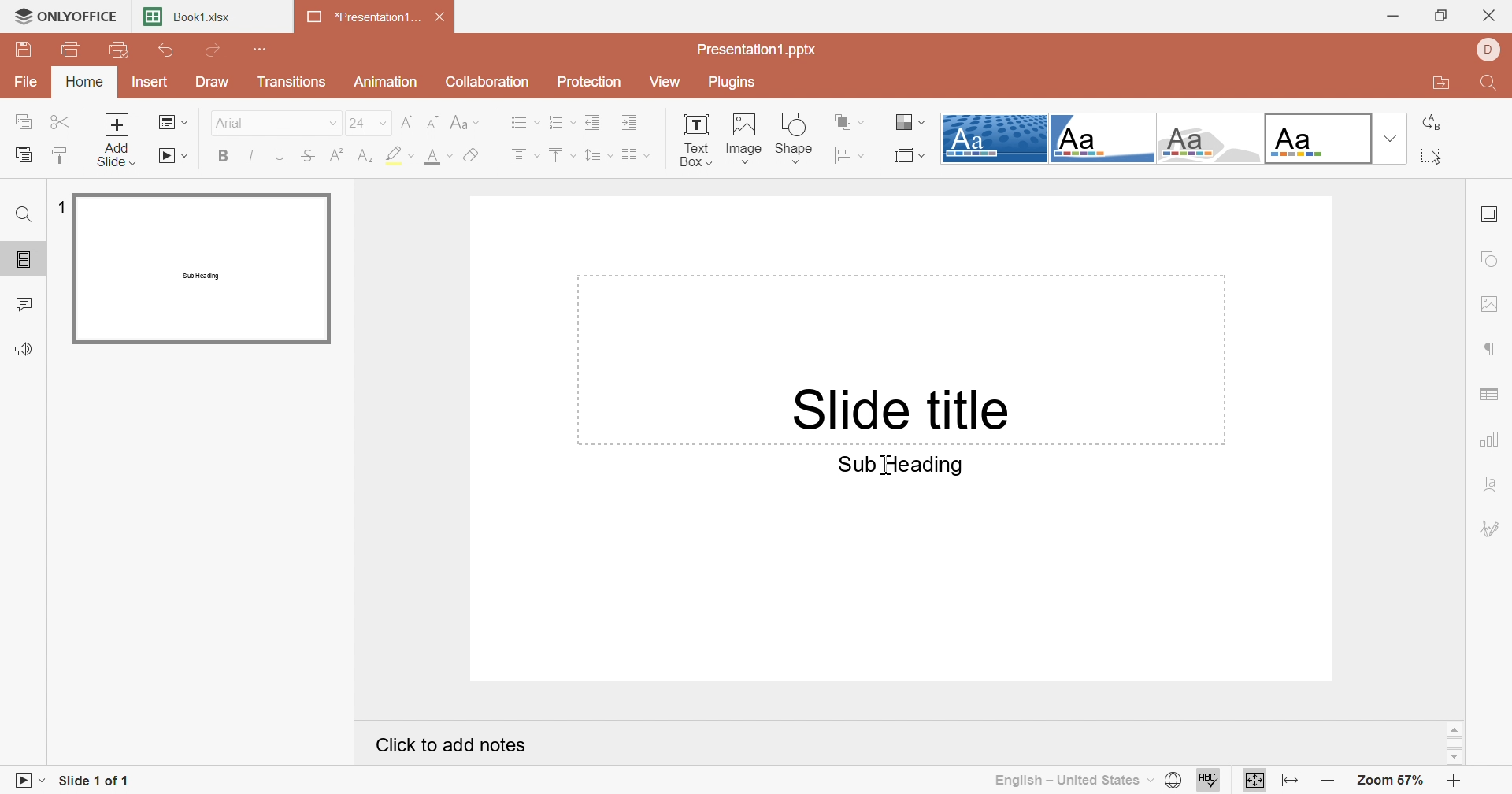 The width and height of the screenshot is (1512, 794). I want to click on Subscript, so click(367, 155).